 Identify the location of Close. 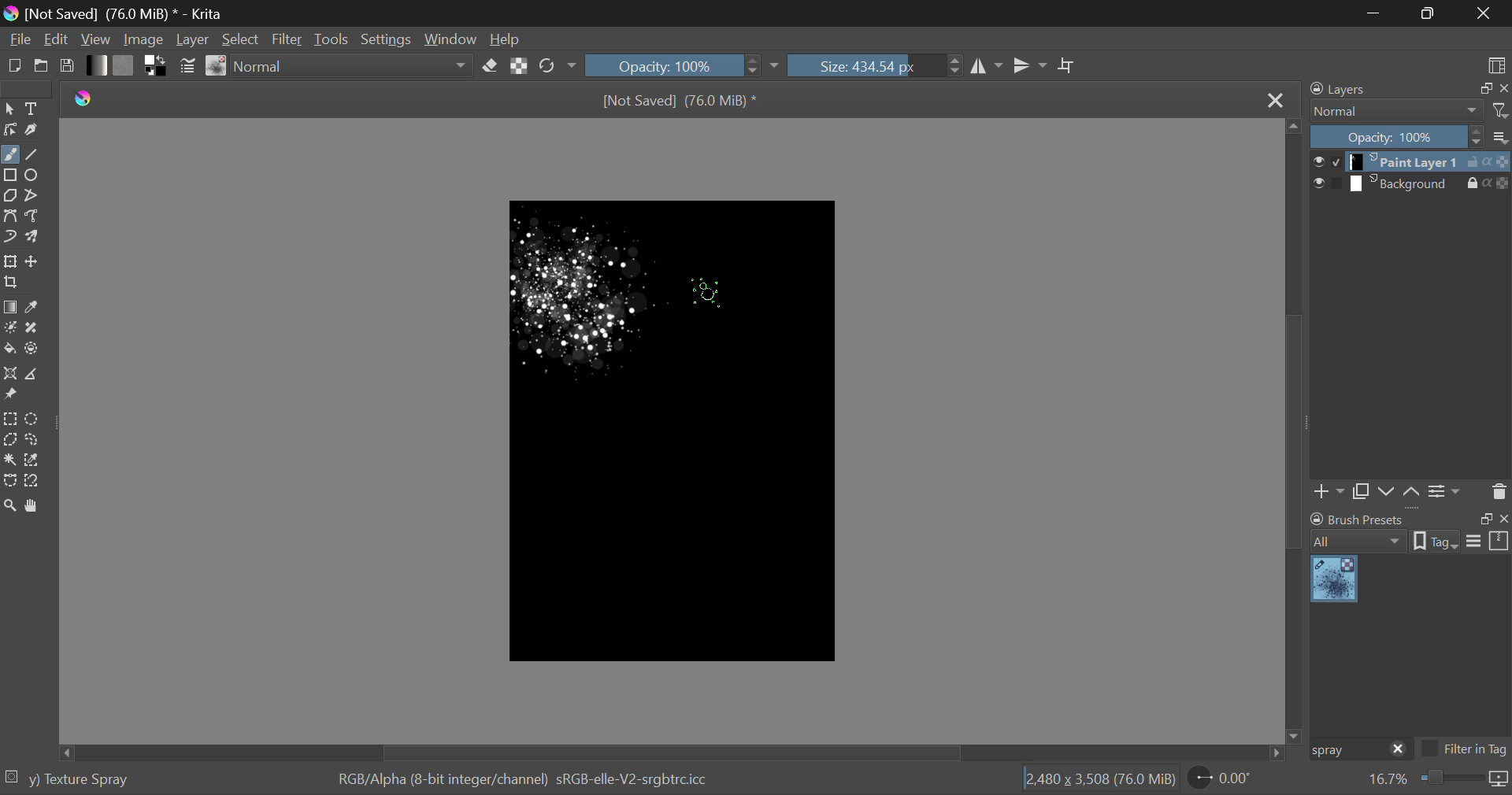
(1484, 13).